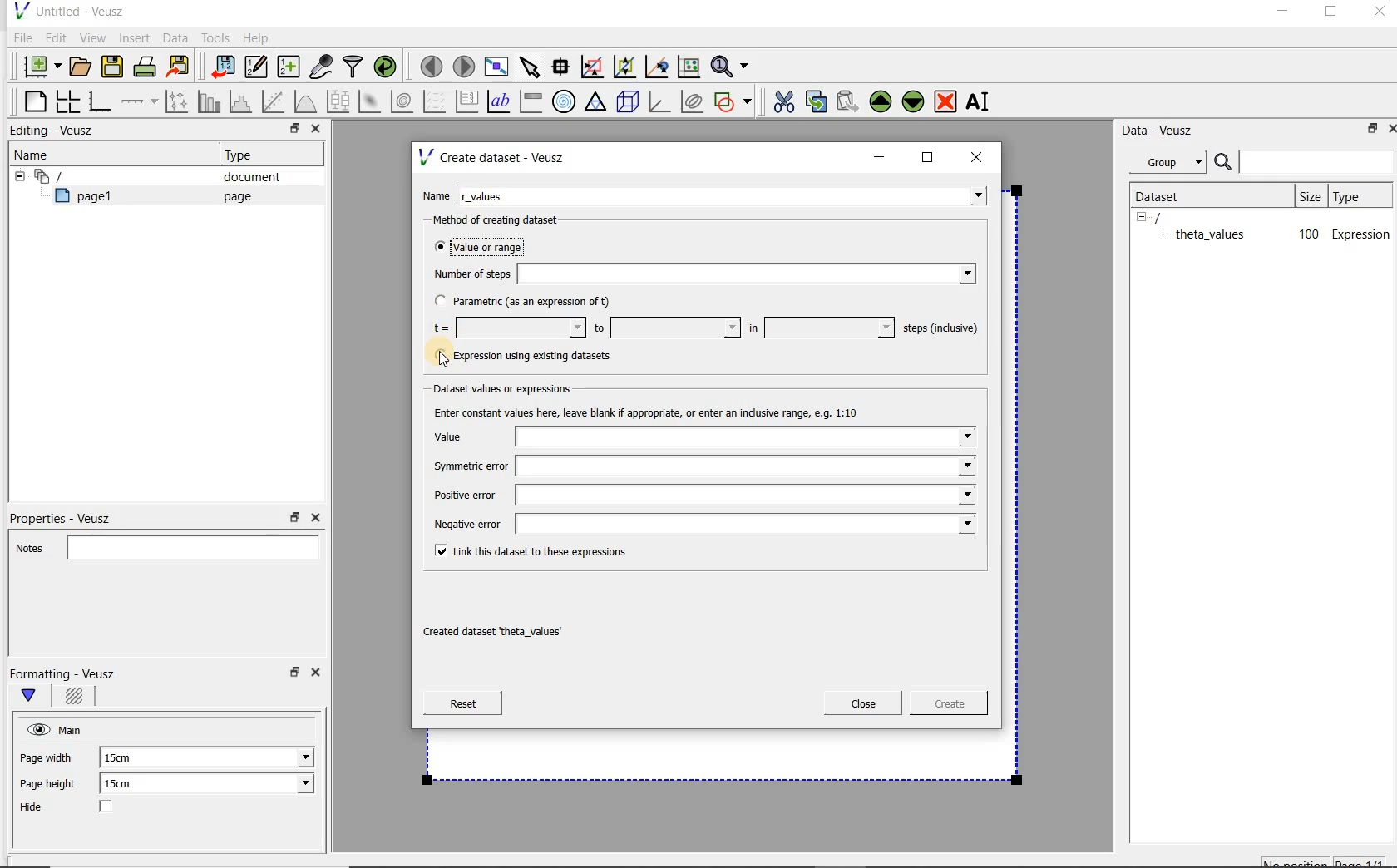  What do you see at coordinates (116, 67) in the screenshot?
I see `save the document` at bounding box center [116, 67].